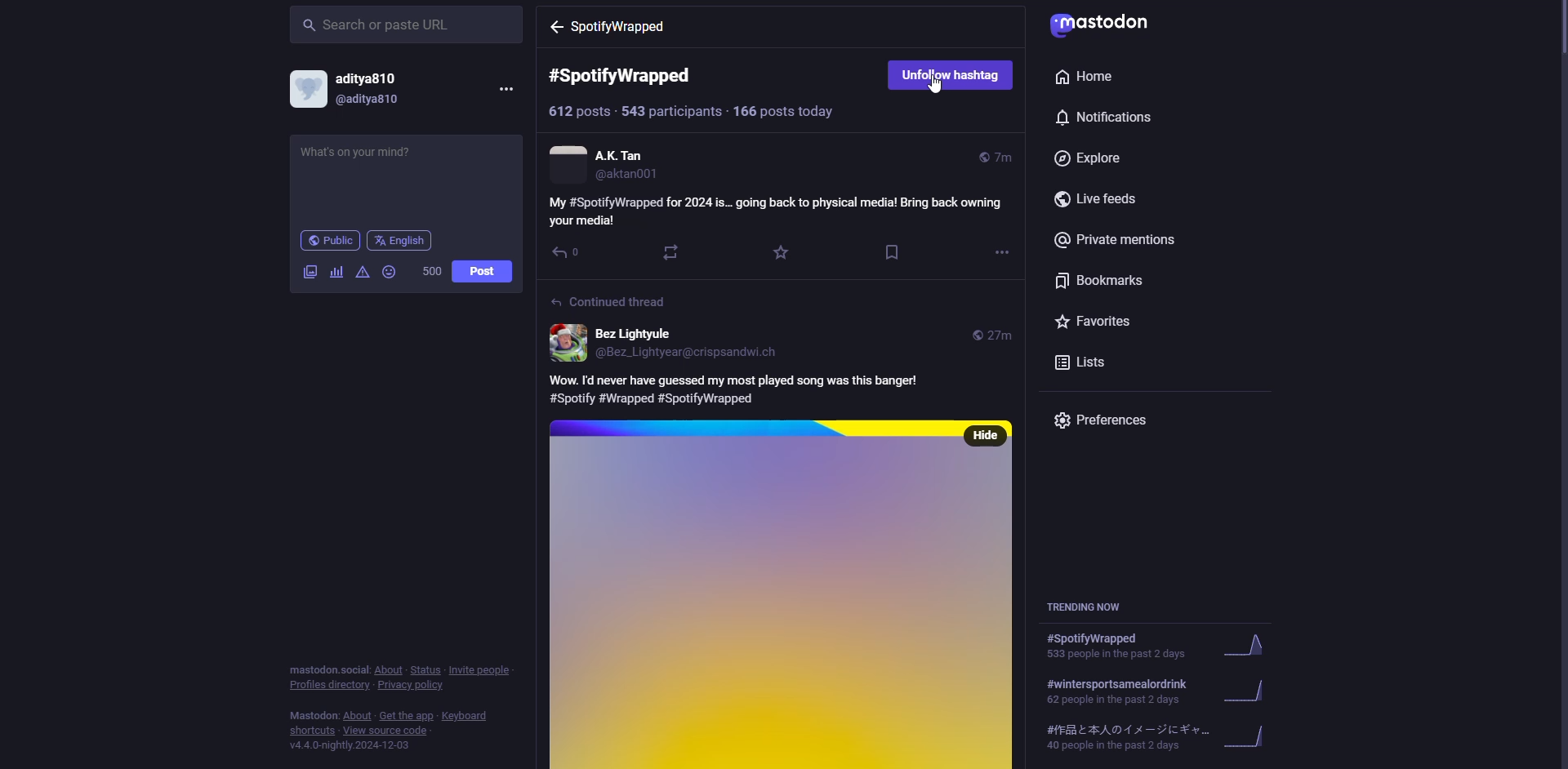  What do you see at coordinates (1120, 241) in the screenshot?
I see `private mentions` at bounding box center [1120, 241].